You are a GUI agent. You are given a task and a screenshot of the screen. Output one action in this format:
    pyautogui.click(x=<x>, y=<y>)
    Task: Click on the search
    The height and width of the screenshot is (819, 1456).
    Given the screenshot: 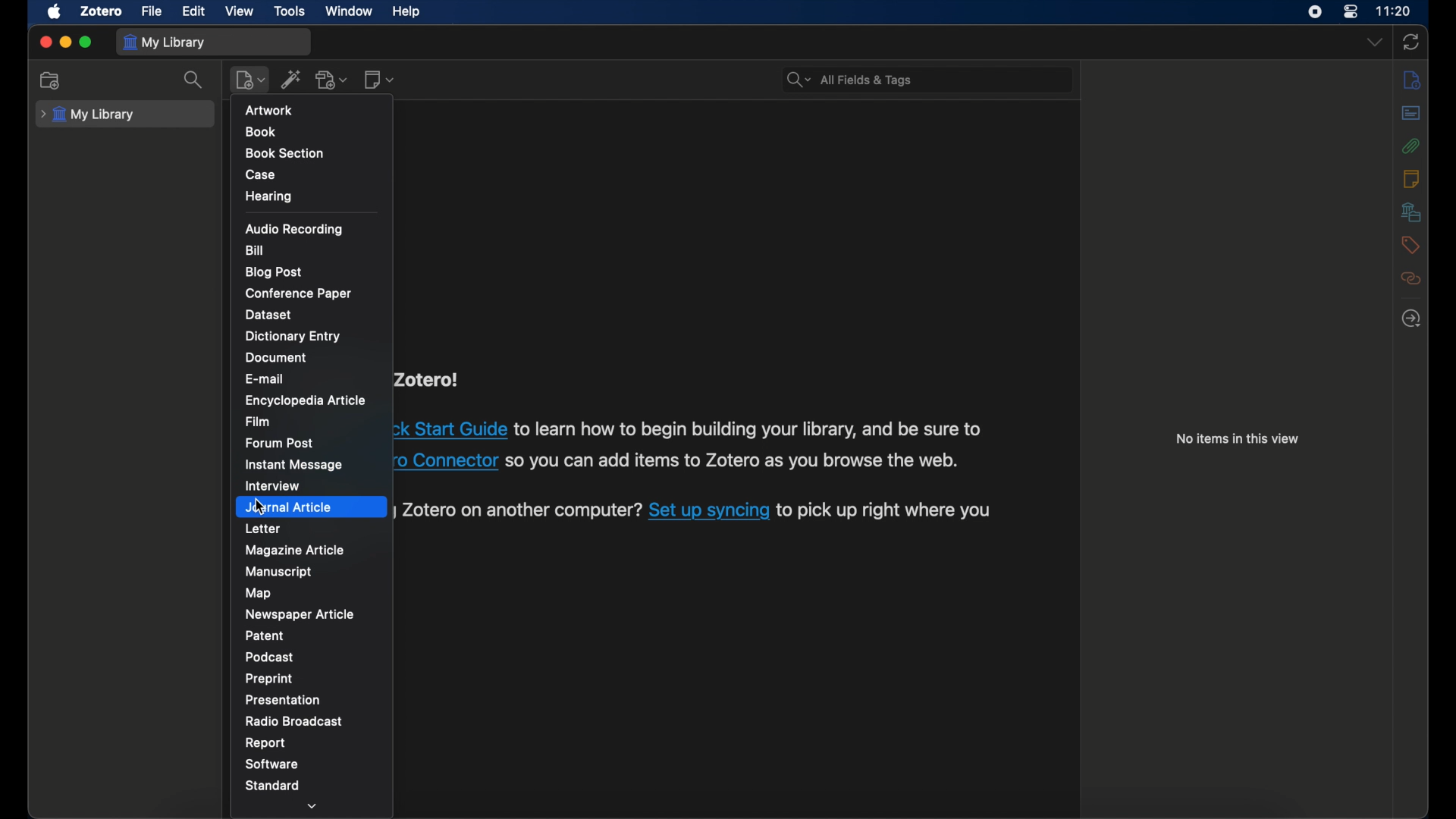 What is the action you would take?
    pyautogui.click(x=193, y=80)
    